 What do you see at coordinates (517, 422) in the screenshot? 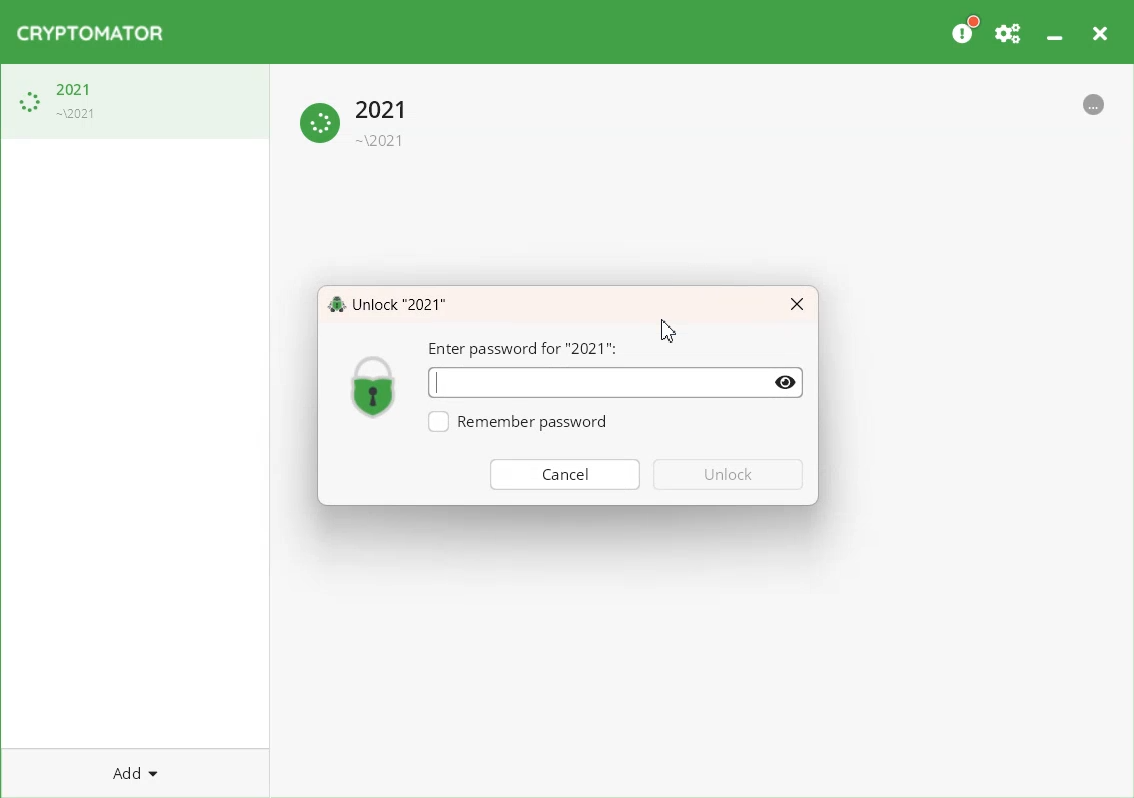
I see `Remember password` at bounding box center [517, 422].